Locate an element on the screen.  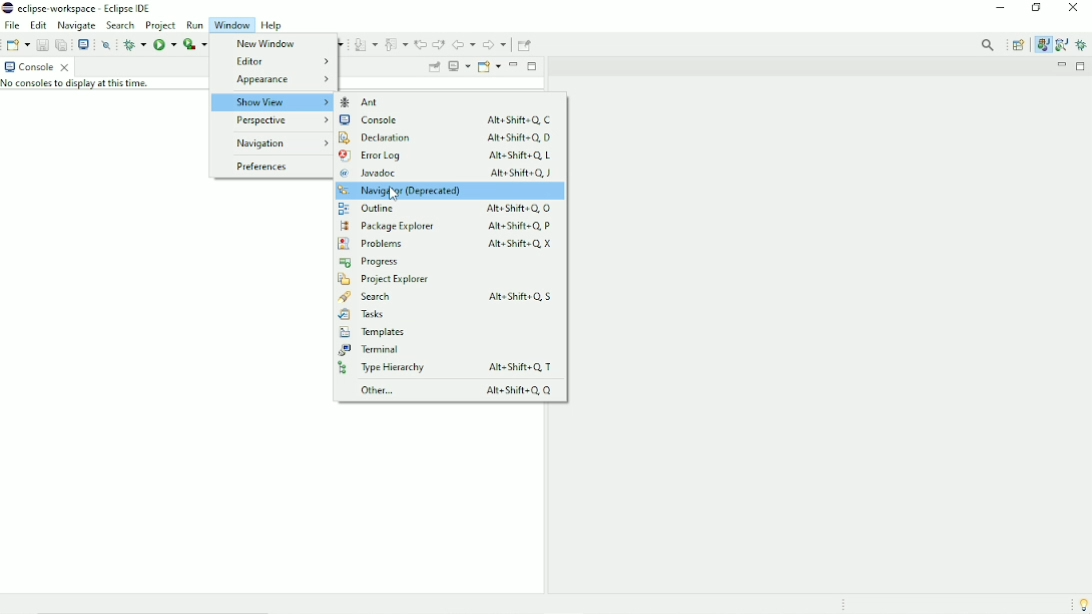
Project is located at coordinates (161, 25).